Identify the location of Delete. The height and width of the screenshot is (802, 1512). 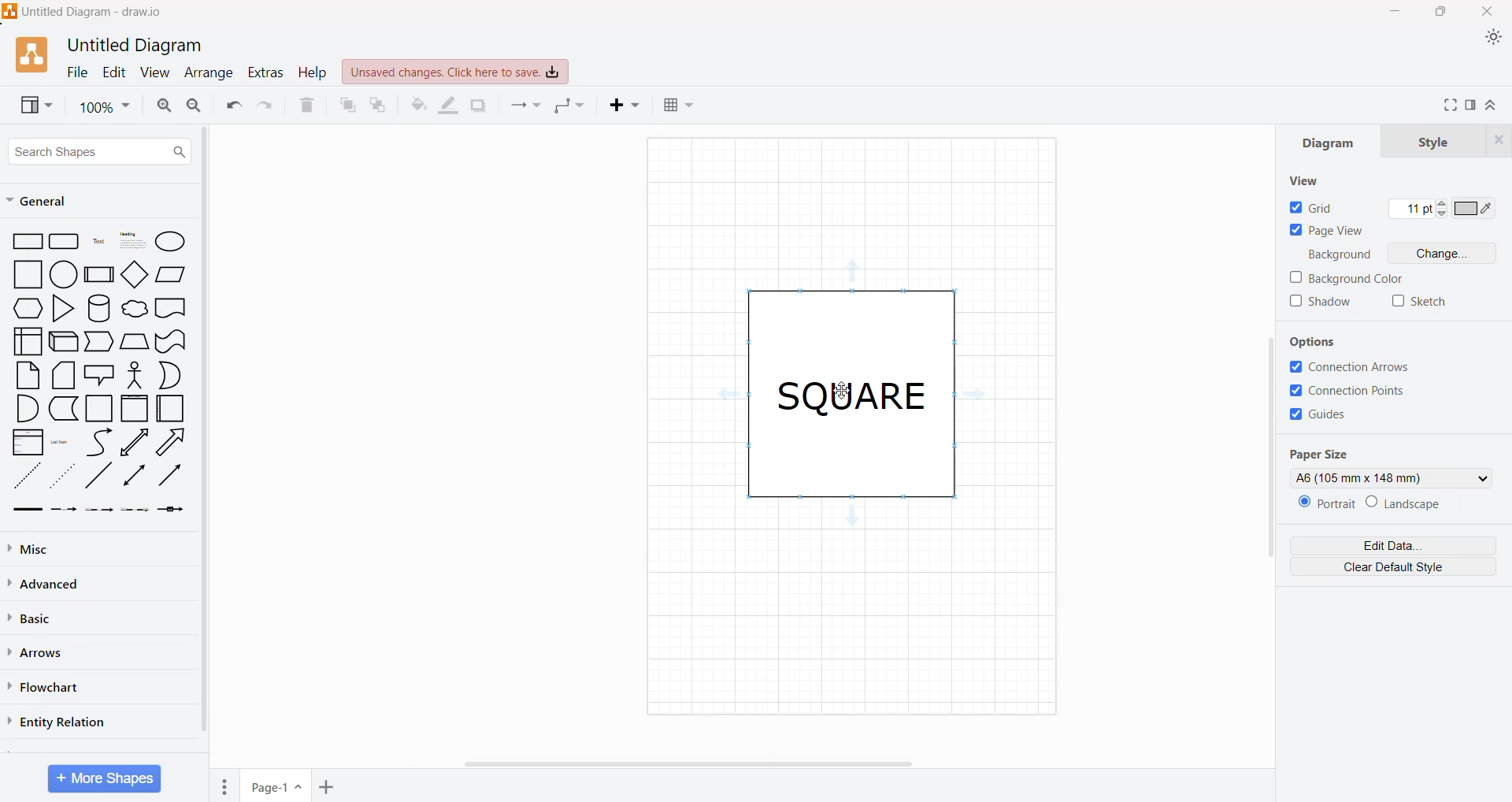
(308, 107).